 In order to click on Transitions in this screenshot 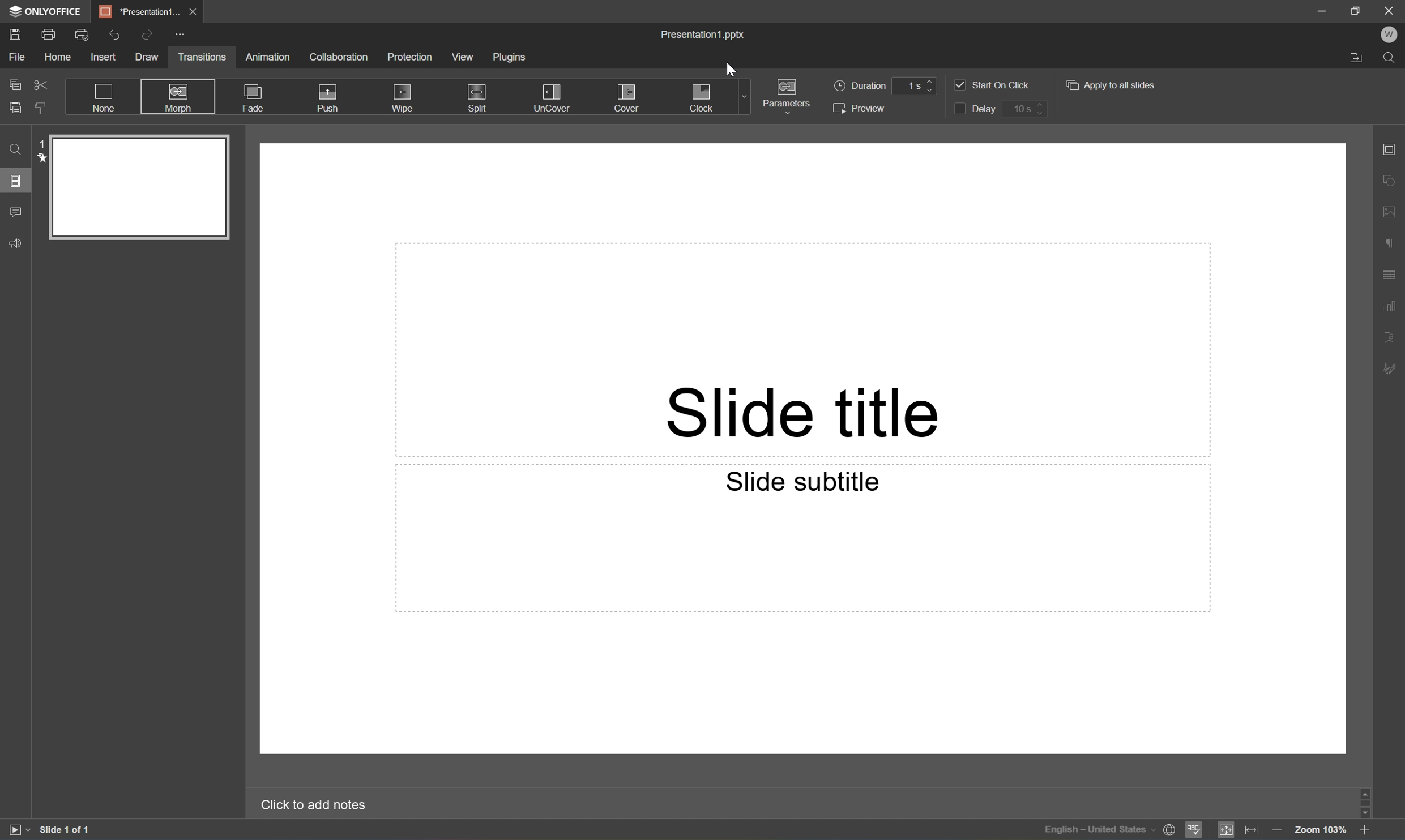, I will do `click(202, 58)`.